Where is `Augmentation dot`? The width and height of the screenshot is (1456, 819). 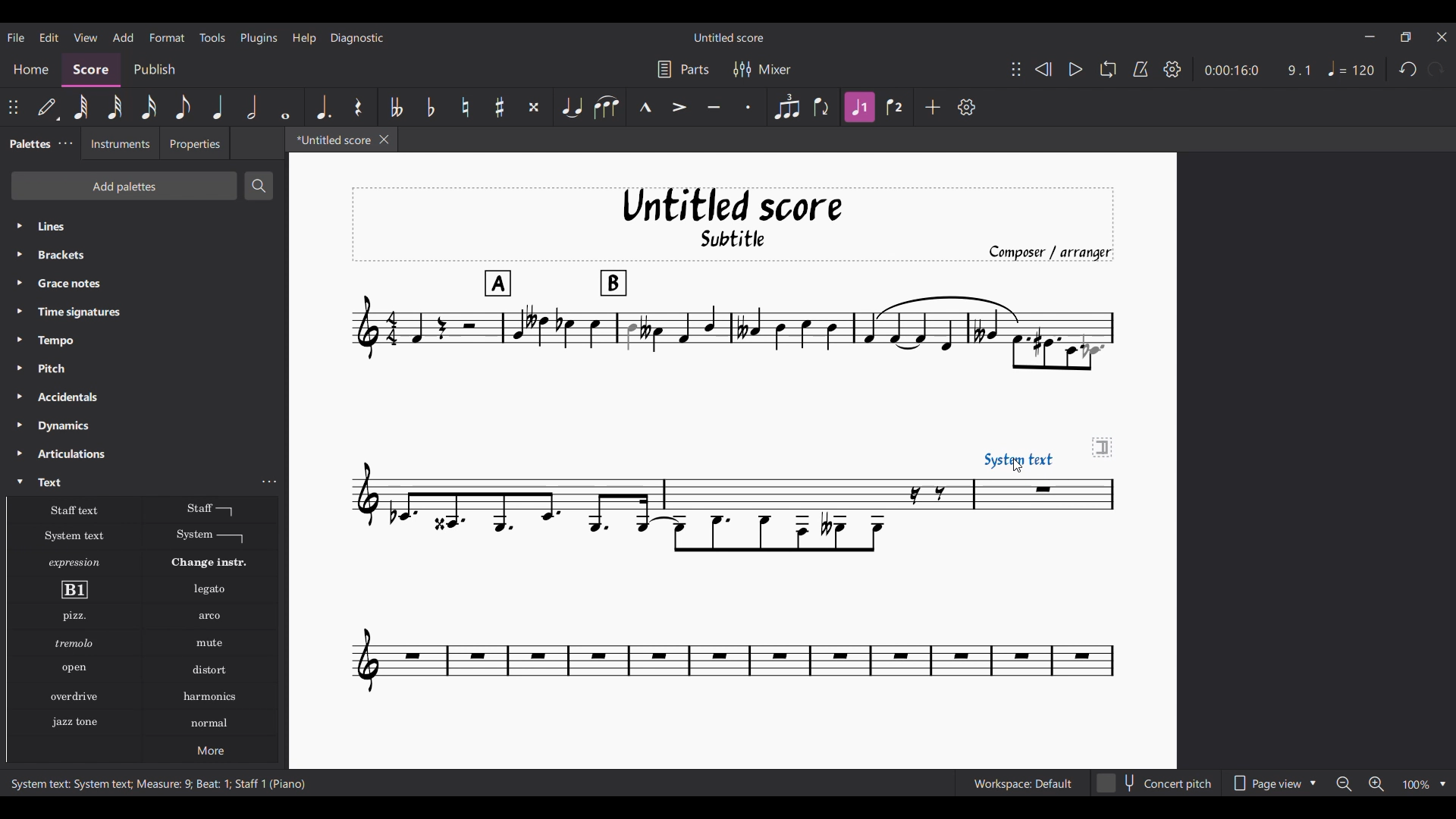 Augmentation dot is located at coordinates (322, 107).